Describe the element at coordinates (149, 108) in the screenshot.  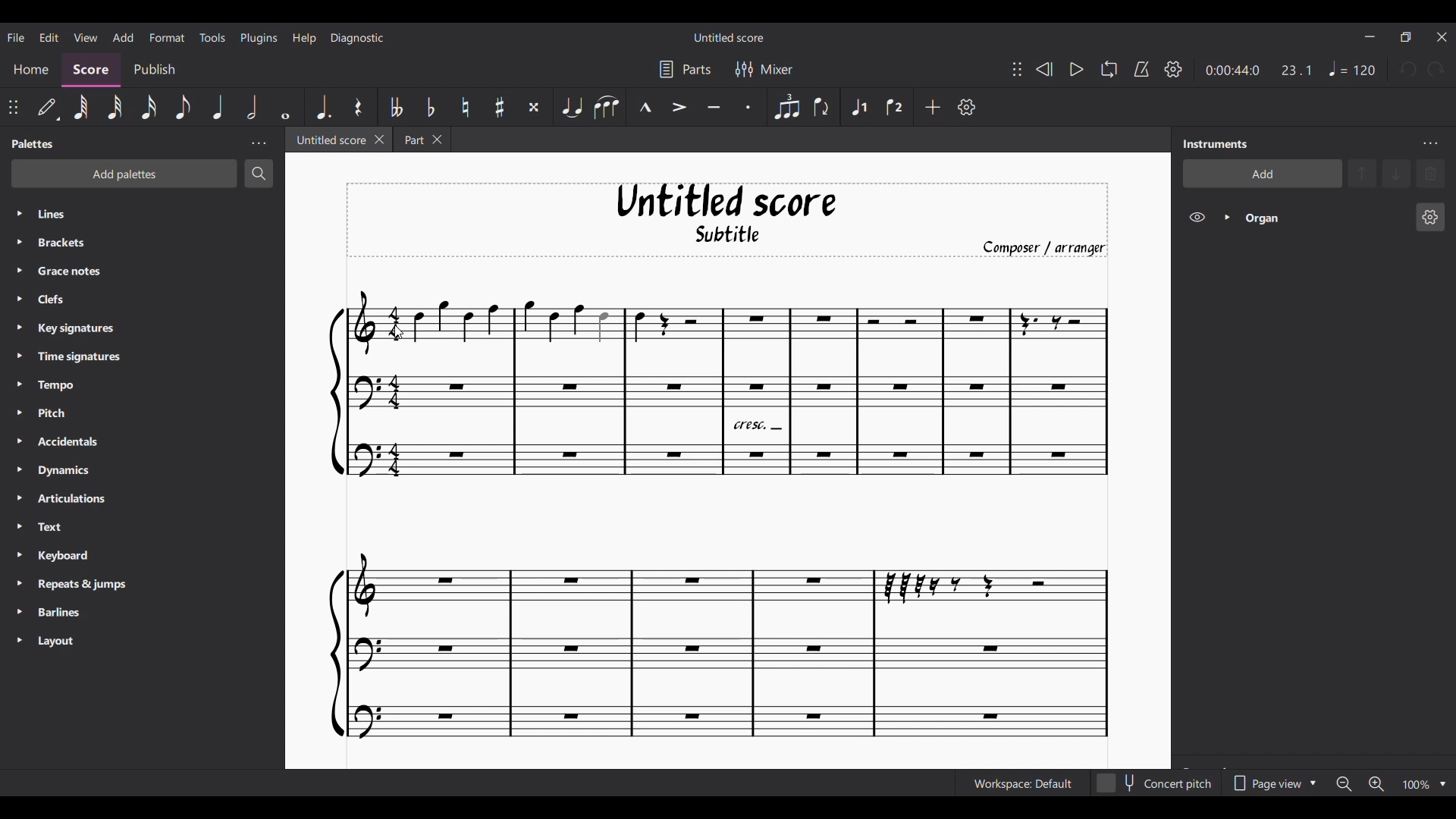
I see `16th note` at that location.